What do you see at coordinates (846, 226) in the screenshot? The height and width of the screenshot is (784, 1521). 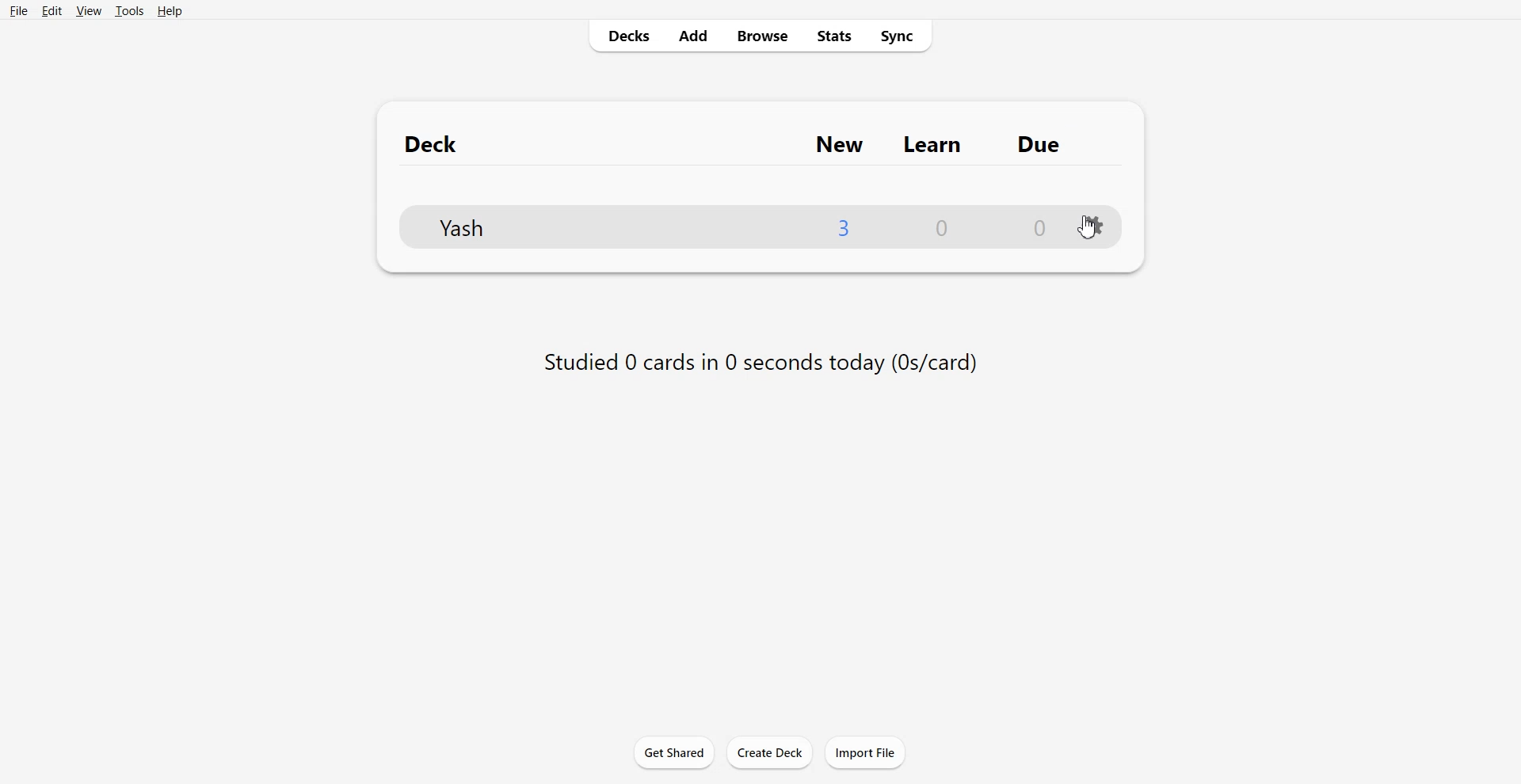 I see `New File` at bounding box center [846, 226].